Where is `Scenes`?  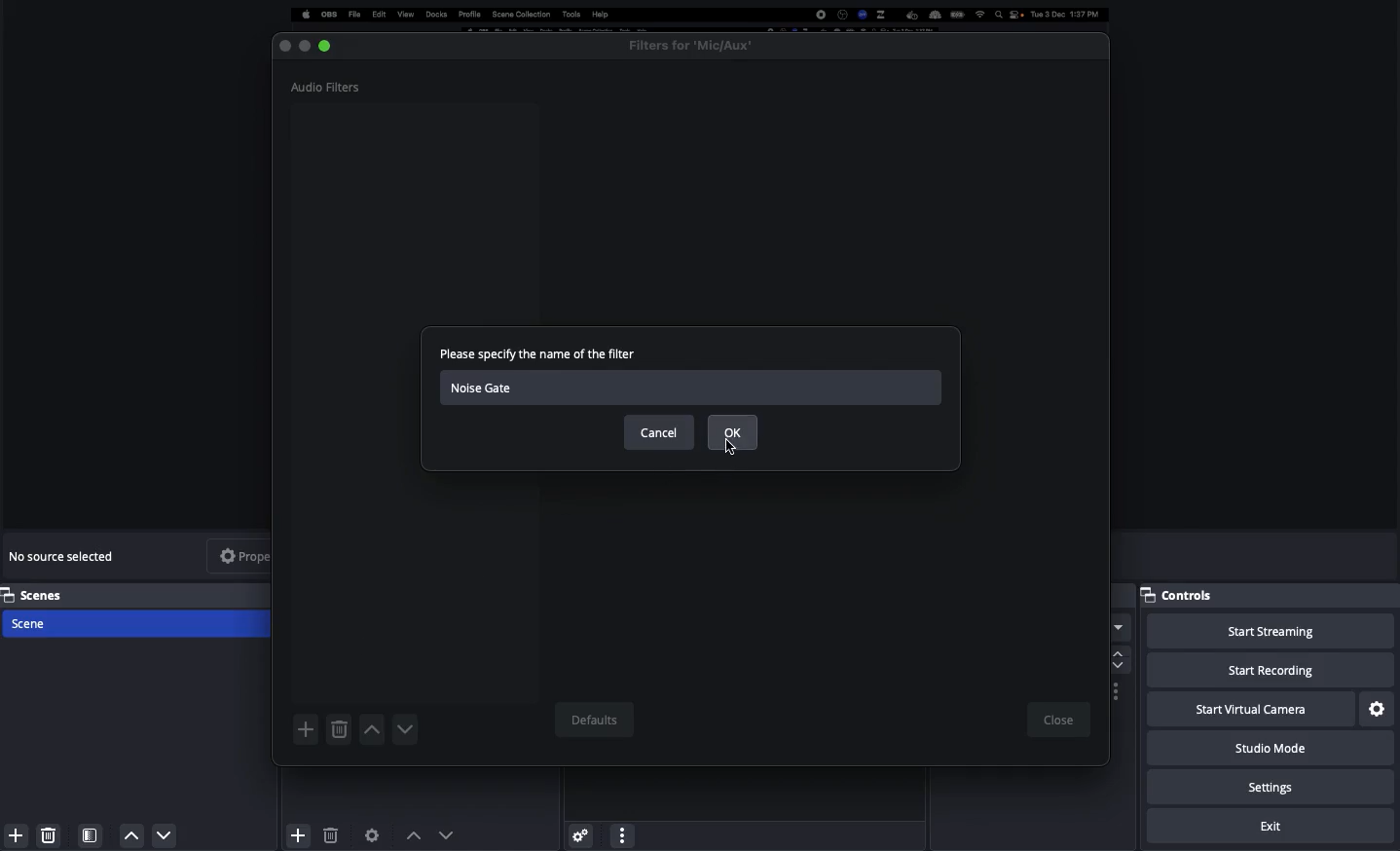
Scenes is located at coordinates (138, 594).